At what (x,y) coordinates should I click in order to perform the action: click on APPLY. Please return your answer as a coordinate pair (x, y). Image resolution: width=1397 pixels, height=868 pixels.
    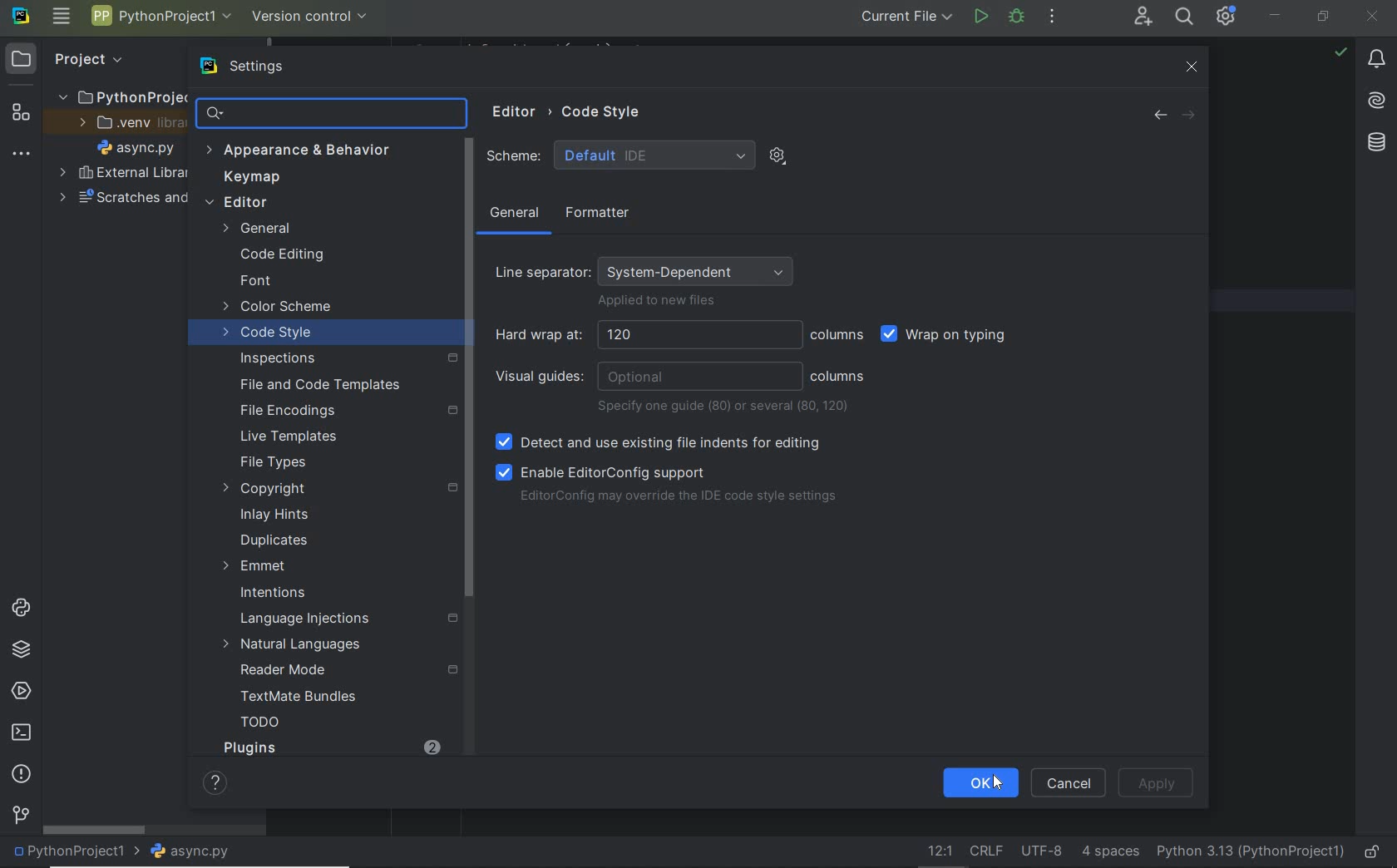
    Looking at the image, I should click on (1159, 783).